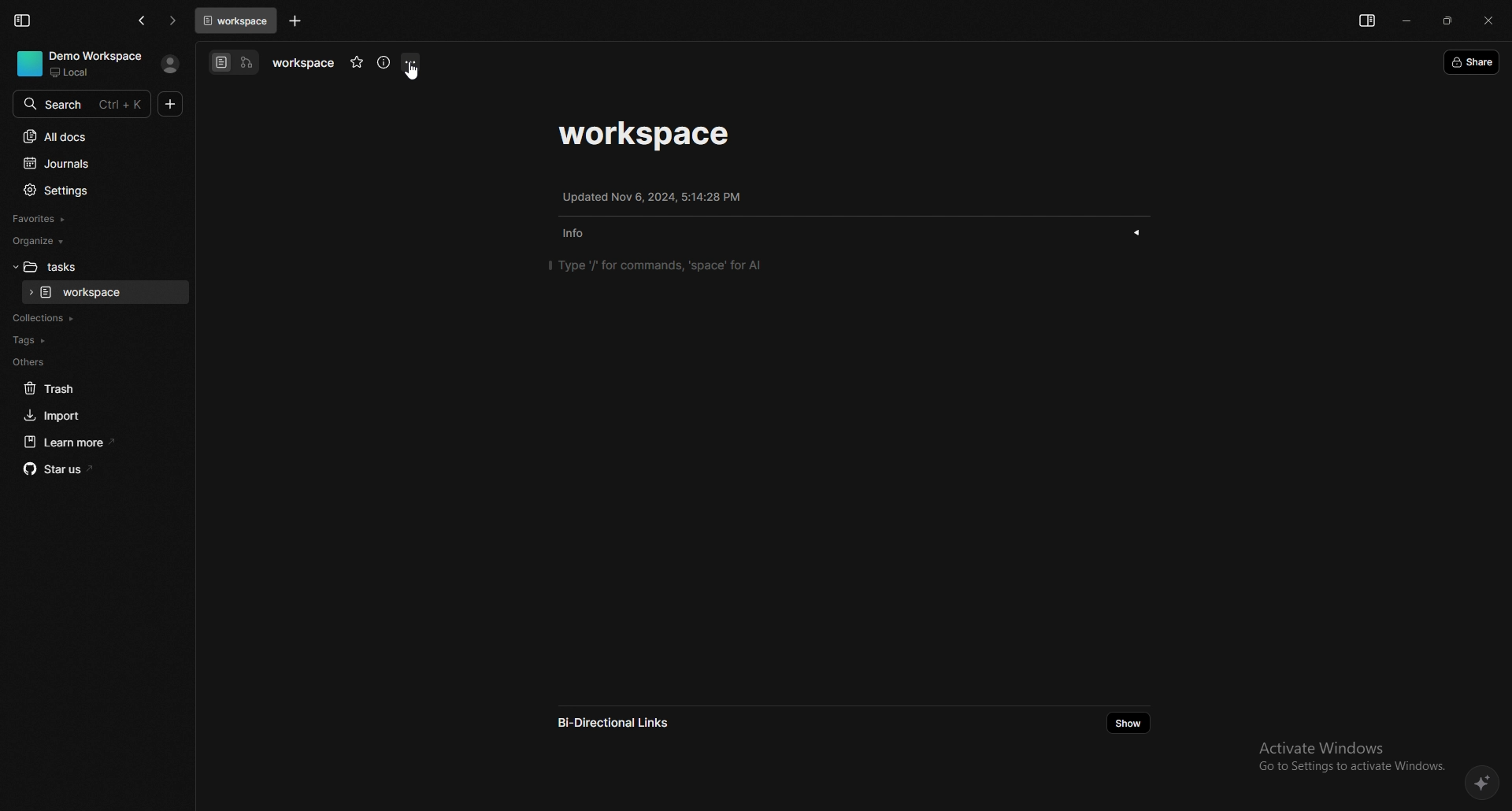 This screenshot has width=1512, height=811. Describe the element at coordinates (1483, 782) in the screenshot. I see `affine AI` at that location.